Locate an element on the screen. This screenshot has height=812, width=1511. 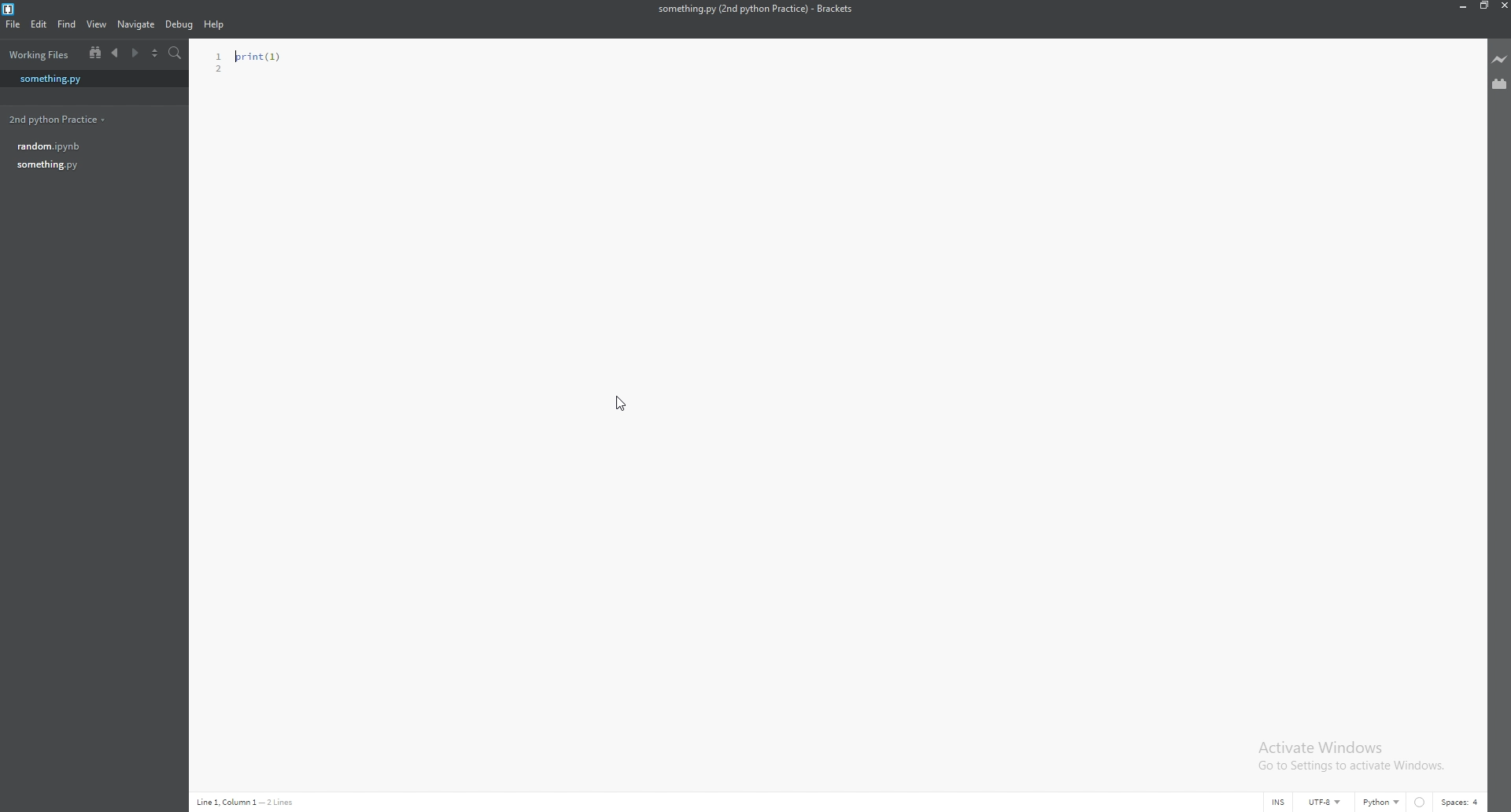
something.py is located at coordinates (87, 78).